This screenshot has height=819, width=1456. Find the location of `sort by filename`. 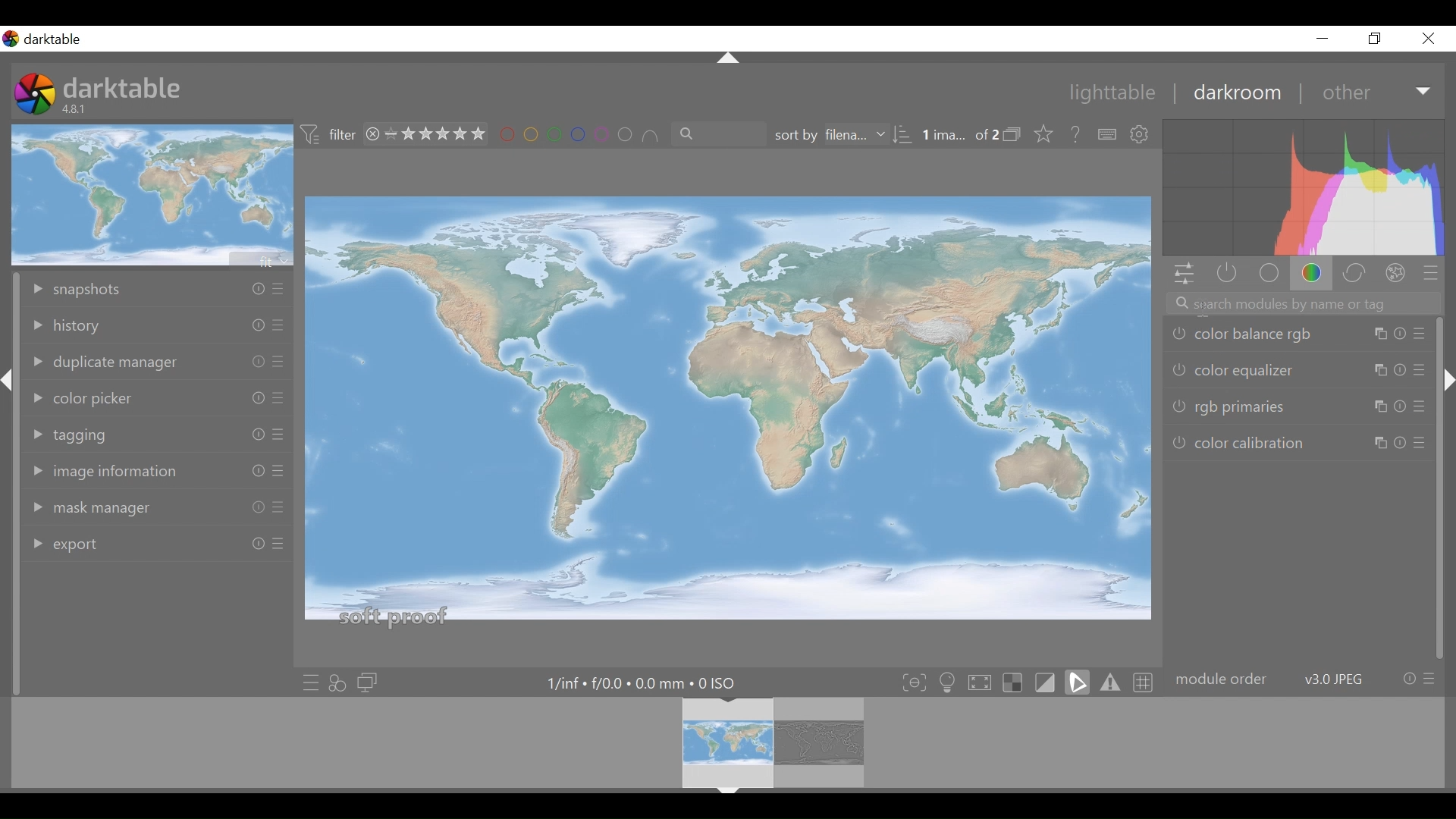

sort by filename is located at coordinates (839, 133).